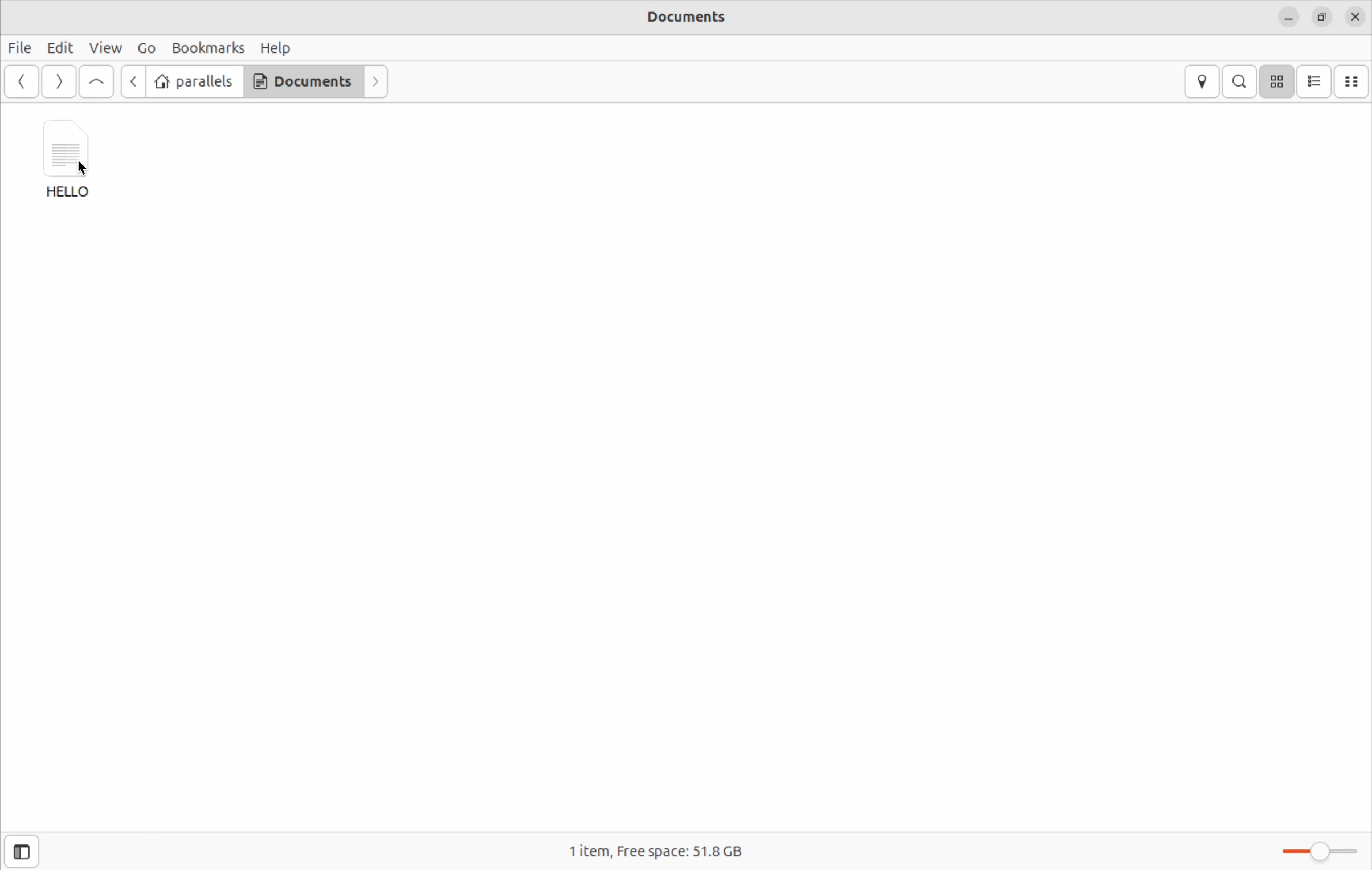  I want to click on Zoom, so click(1316, 851).